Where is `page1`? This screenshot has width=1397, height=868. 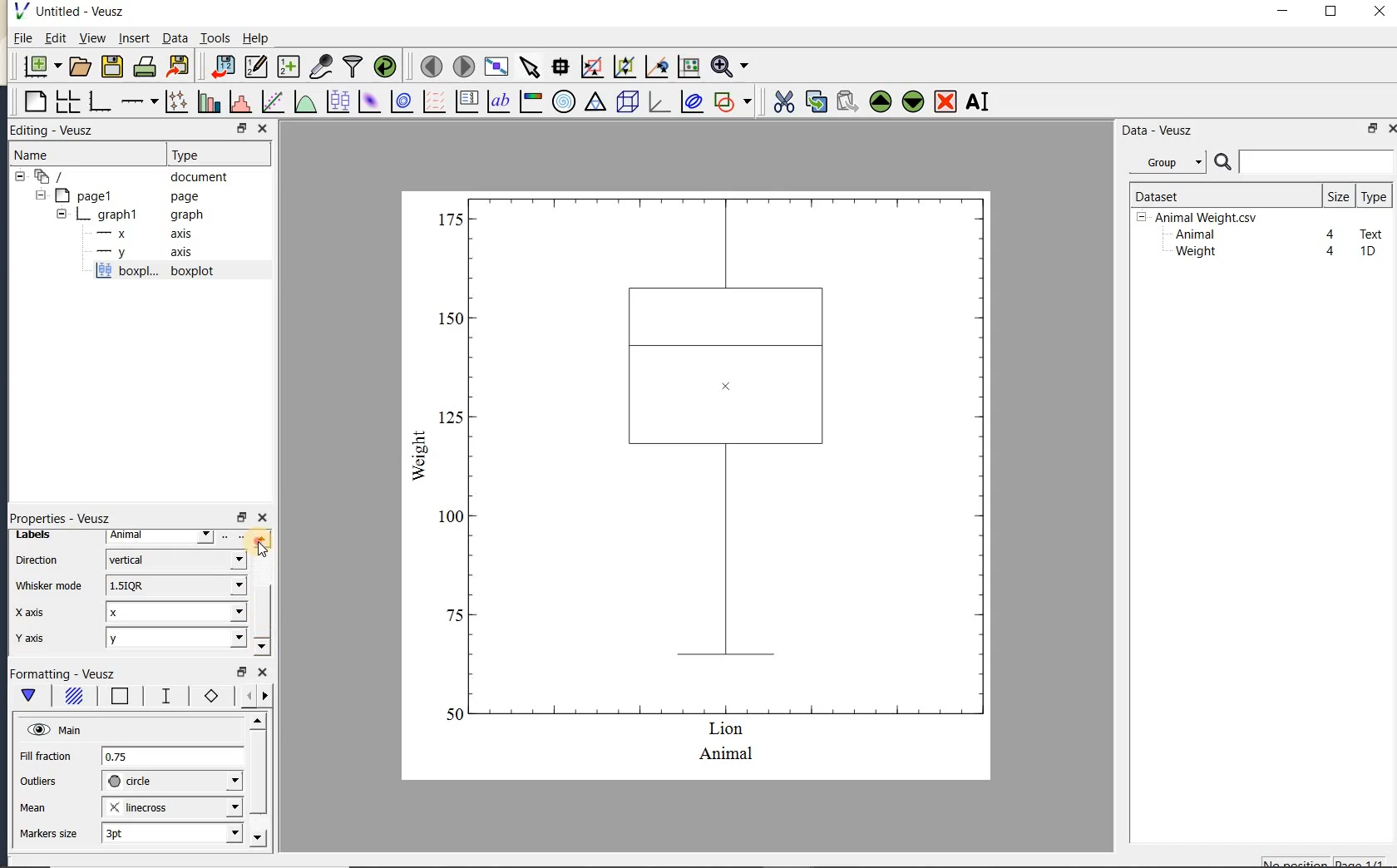
page1 is located at coordinates (119, 197).